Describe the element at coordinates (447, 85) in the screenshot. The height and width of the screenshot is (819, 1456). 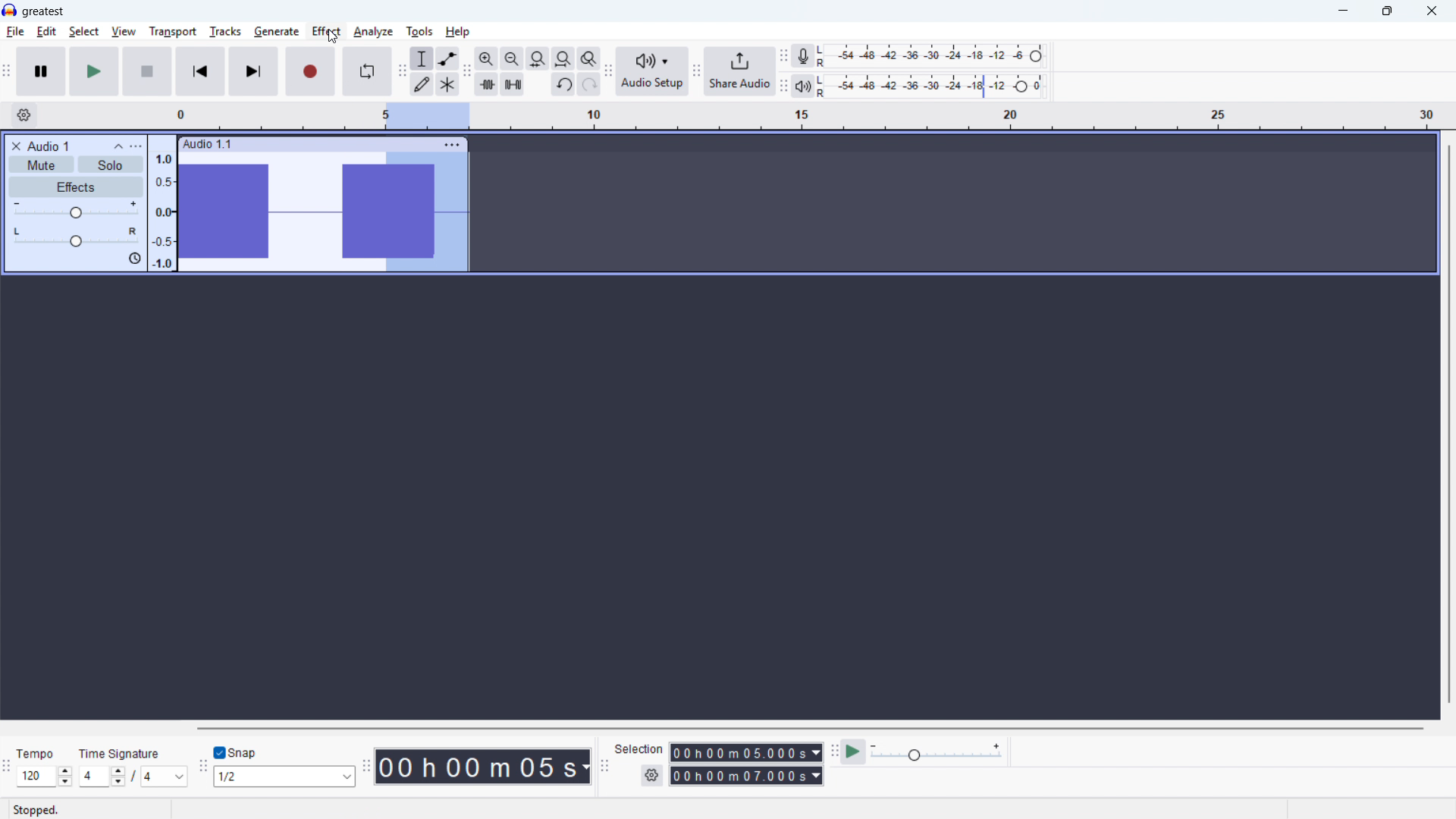
I see `Multi tool ` at that location.